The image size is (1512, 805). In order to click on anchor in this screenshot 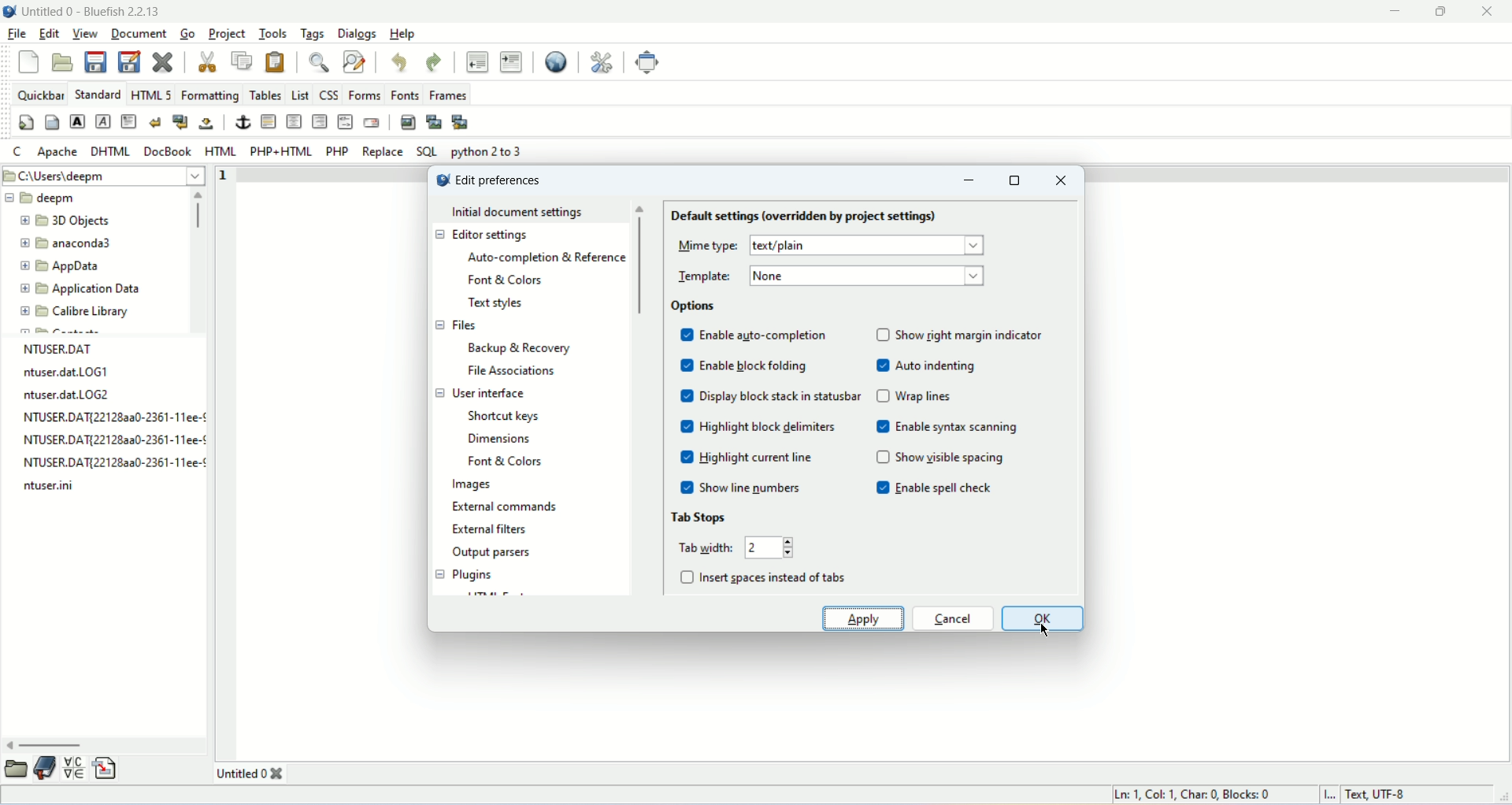, I will do `click(242, 122)`.